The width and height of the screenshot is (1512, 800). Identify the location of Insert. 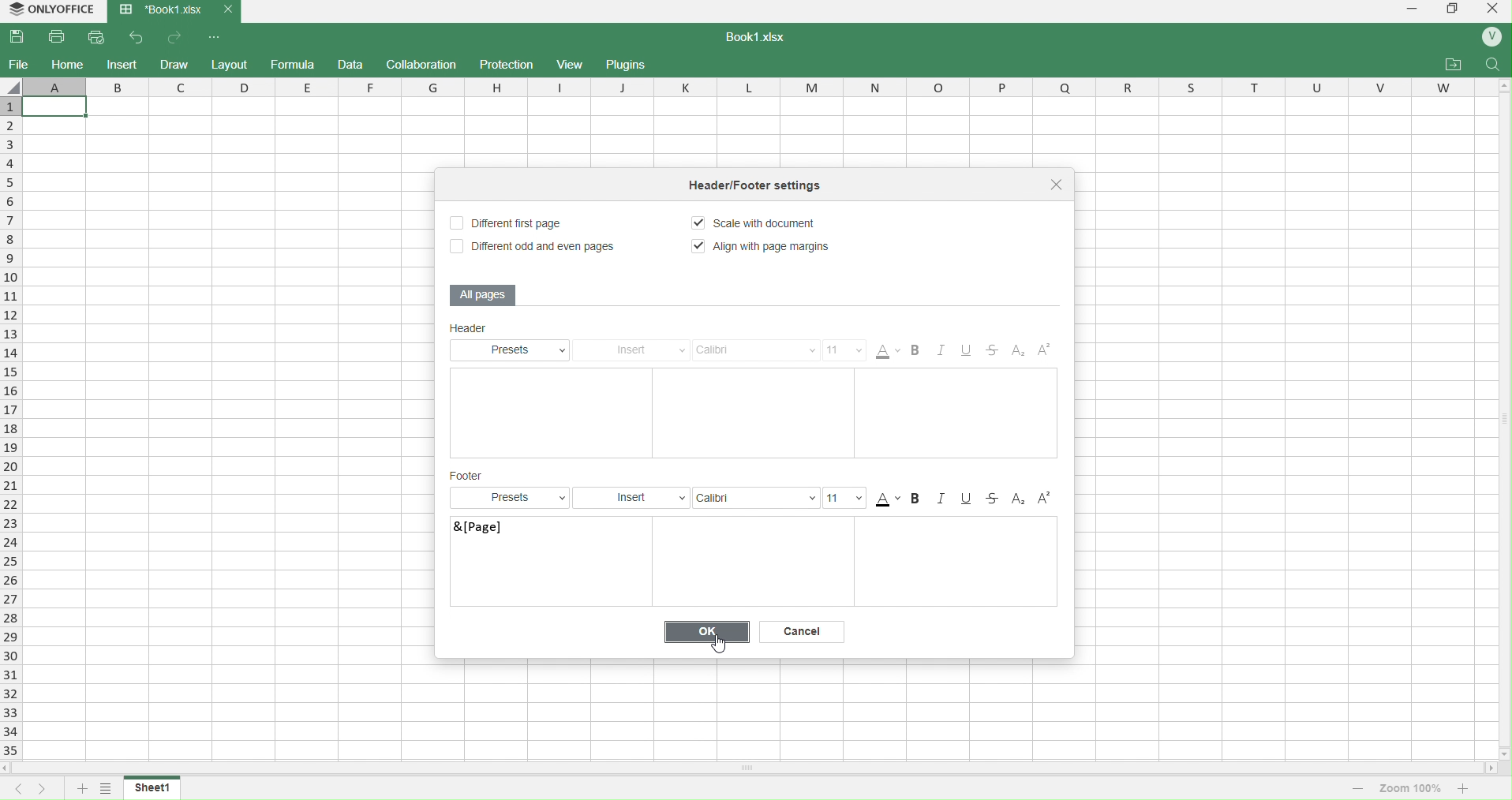
(637, 350).